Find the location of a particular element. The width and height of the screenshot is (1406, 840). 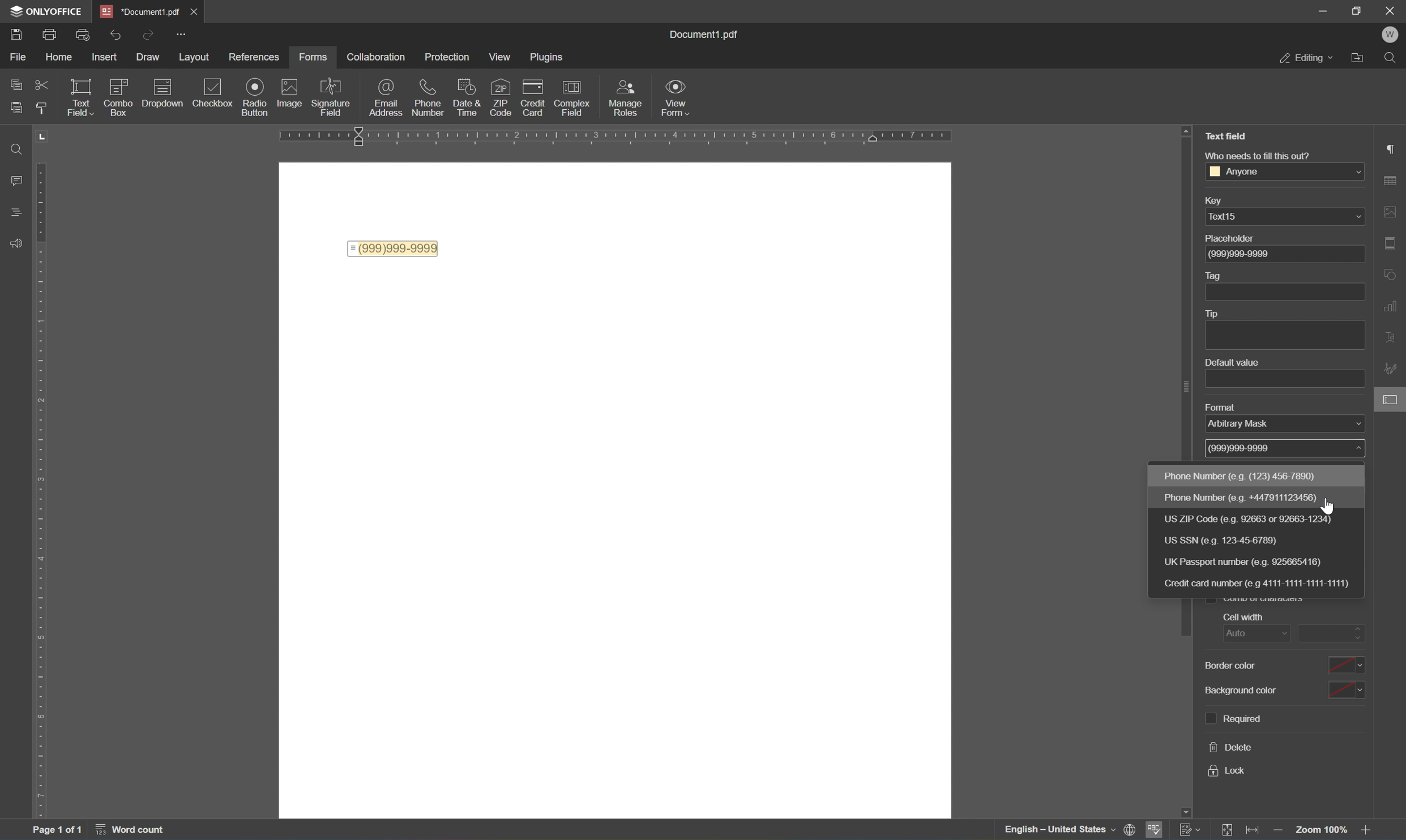

text field is located at coordinates (1224, 136).